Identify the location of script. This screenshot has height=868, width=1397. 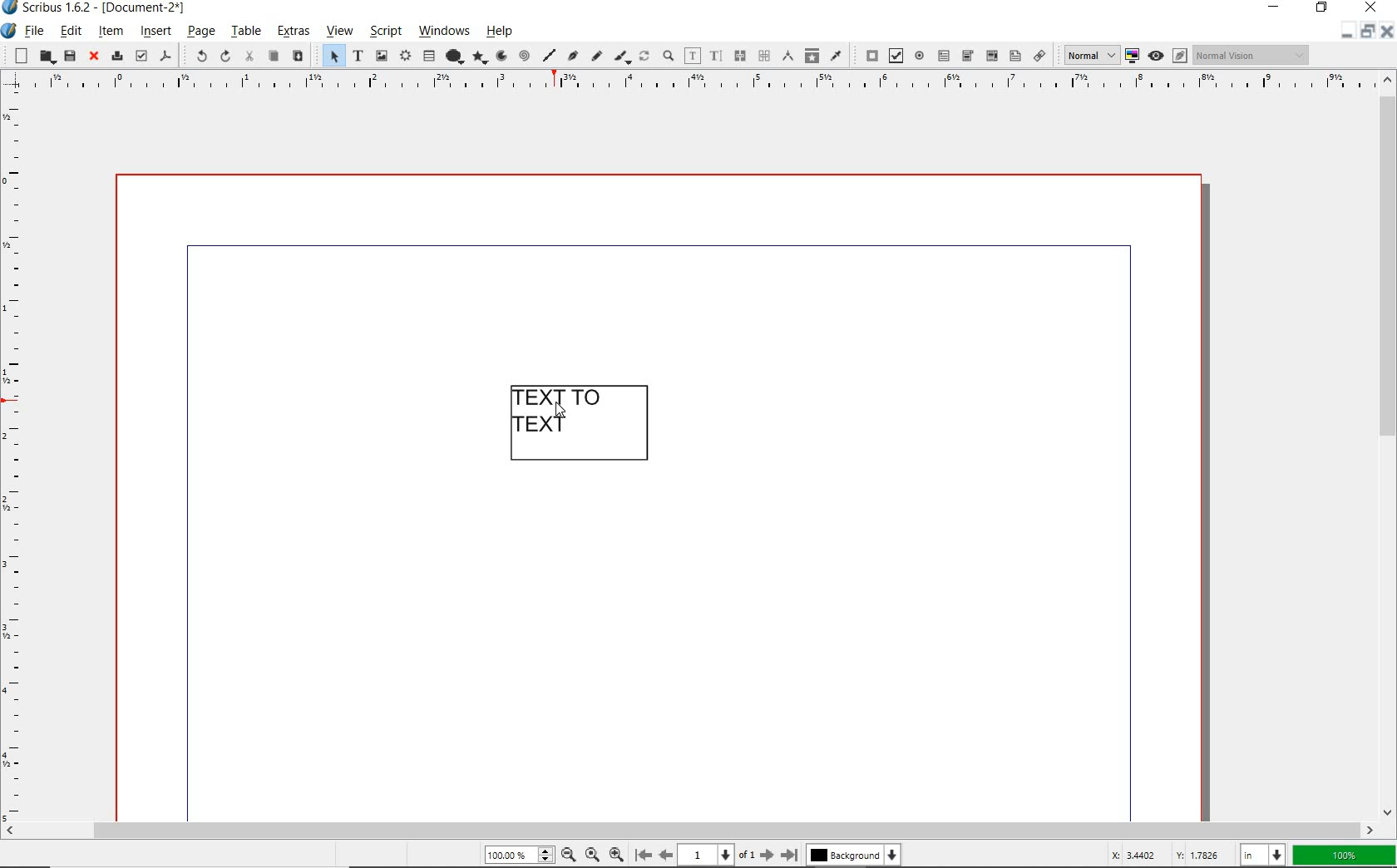
(386, 31).